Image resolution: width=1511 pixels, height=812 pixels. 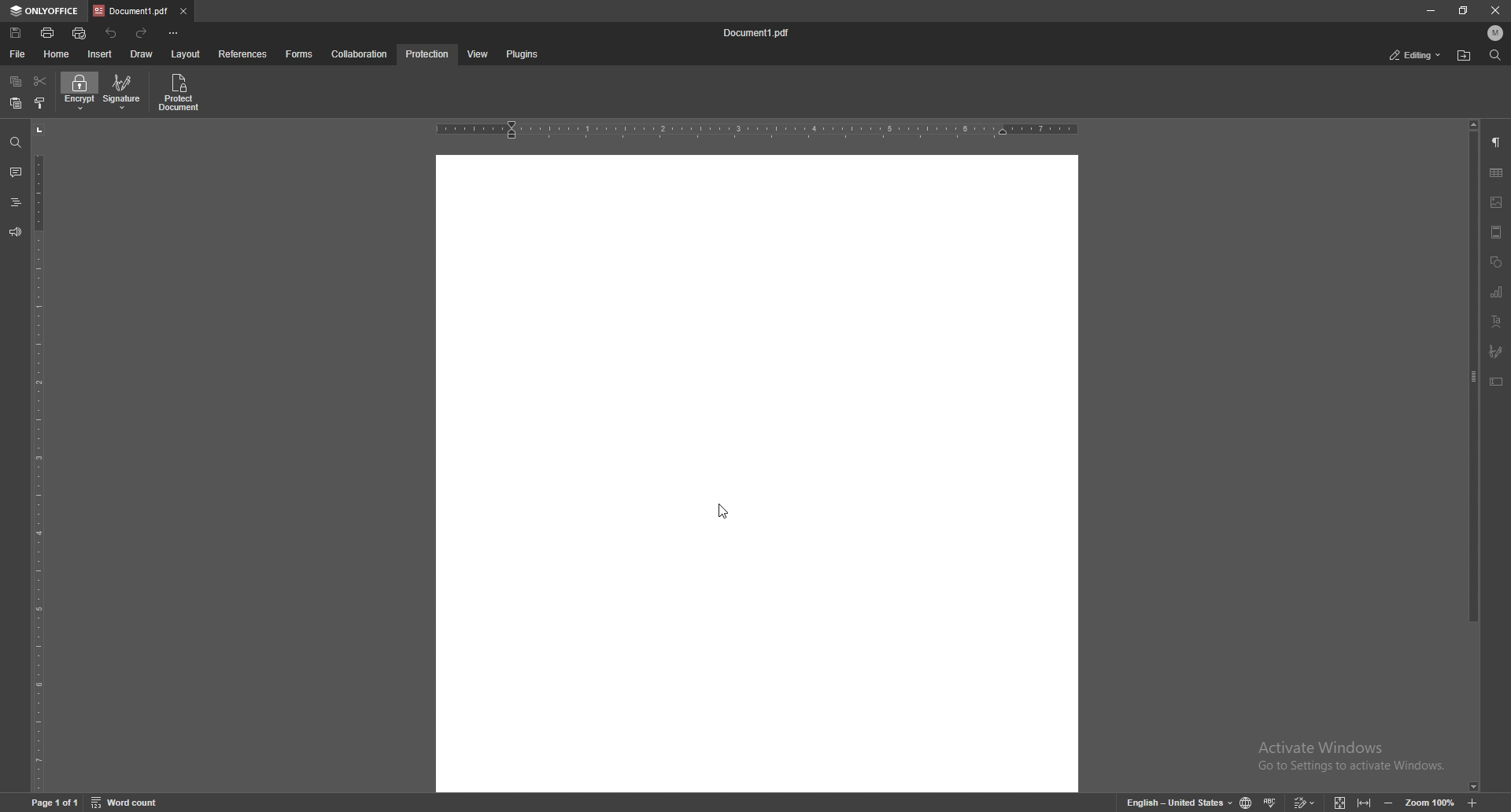 What do you see at coordinates (54, 800) in the screenshot?
I see `page` at bounding box center [54, 800].